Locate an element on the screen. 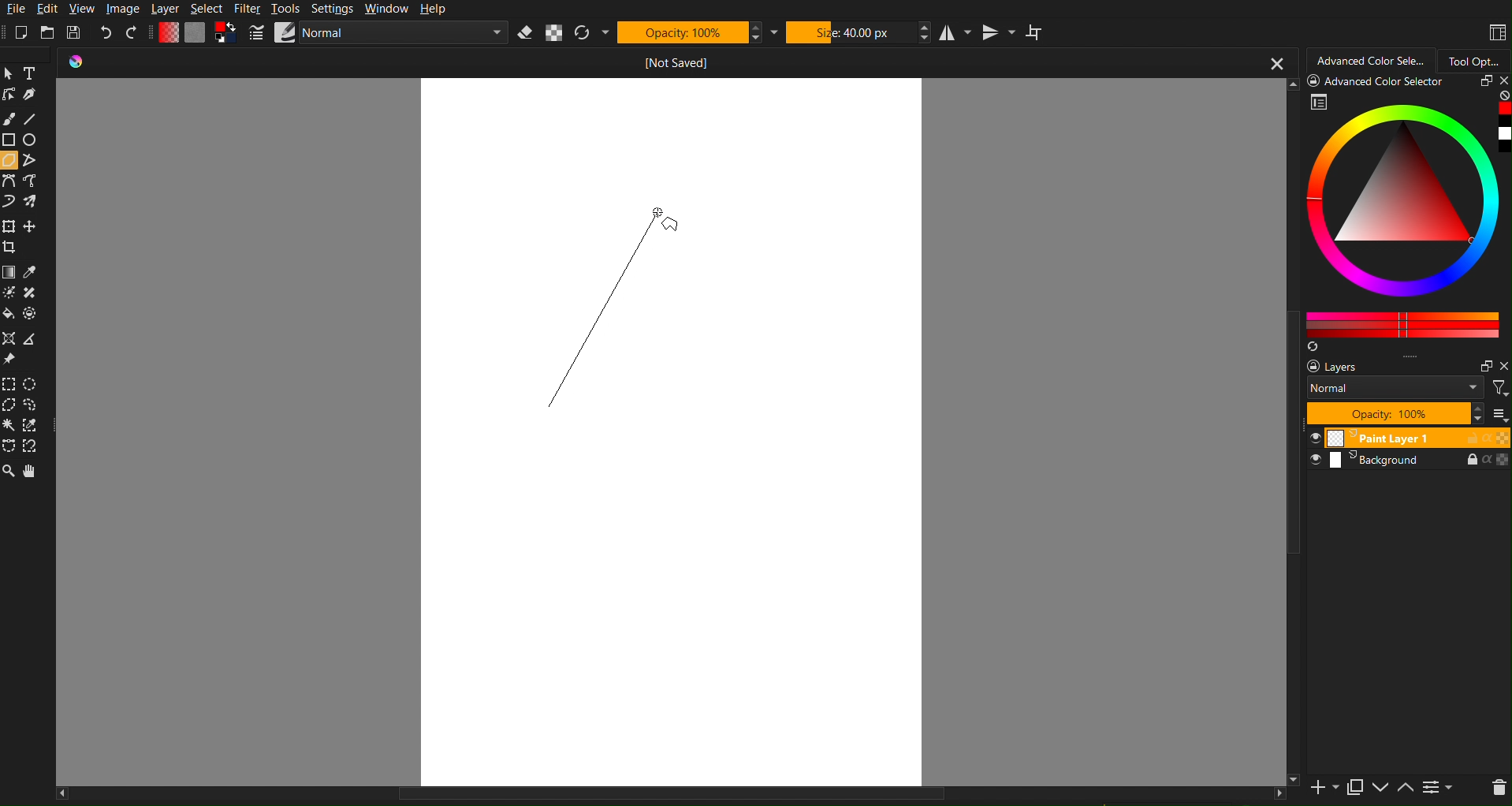 This screenshot has height=806, width=1512. assistant tool is located at coordinates (9, 338).